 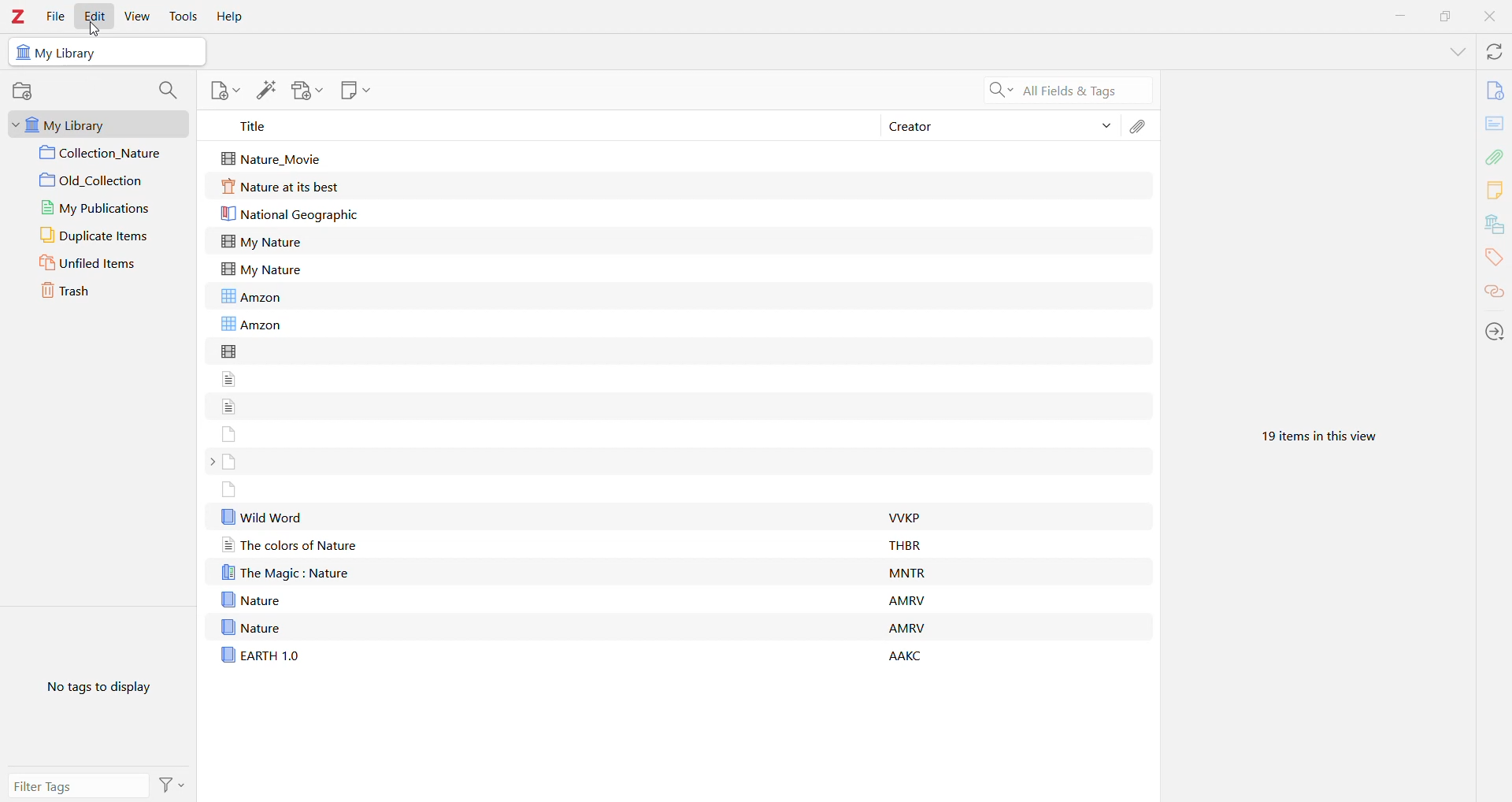 I want to click on New Note, so click(x=355, y=91).